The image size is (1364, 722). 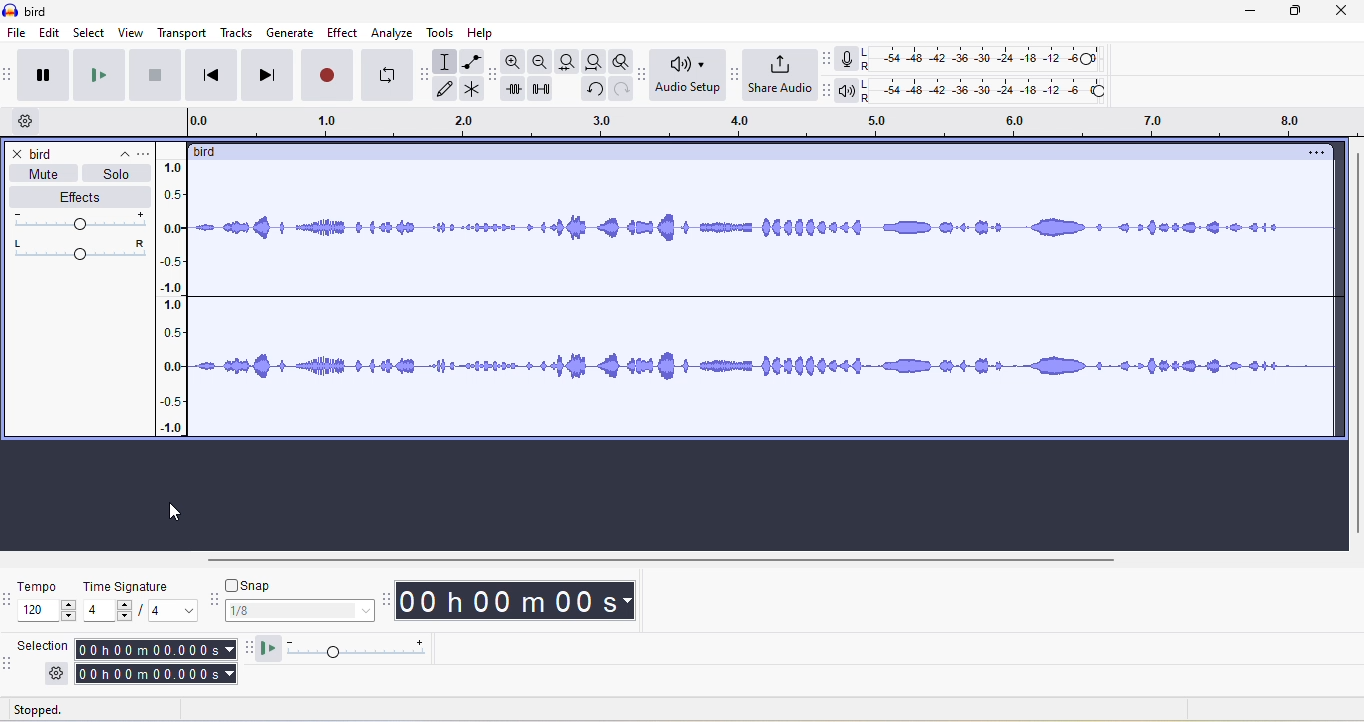 What do you see at coordinates (1347, 14) in the screenshot?
I see `close` at bounding box center [1347, 14].